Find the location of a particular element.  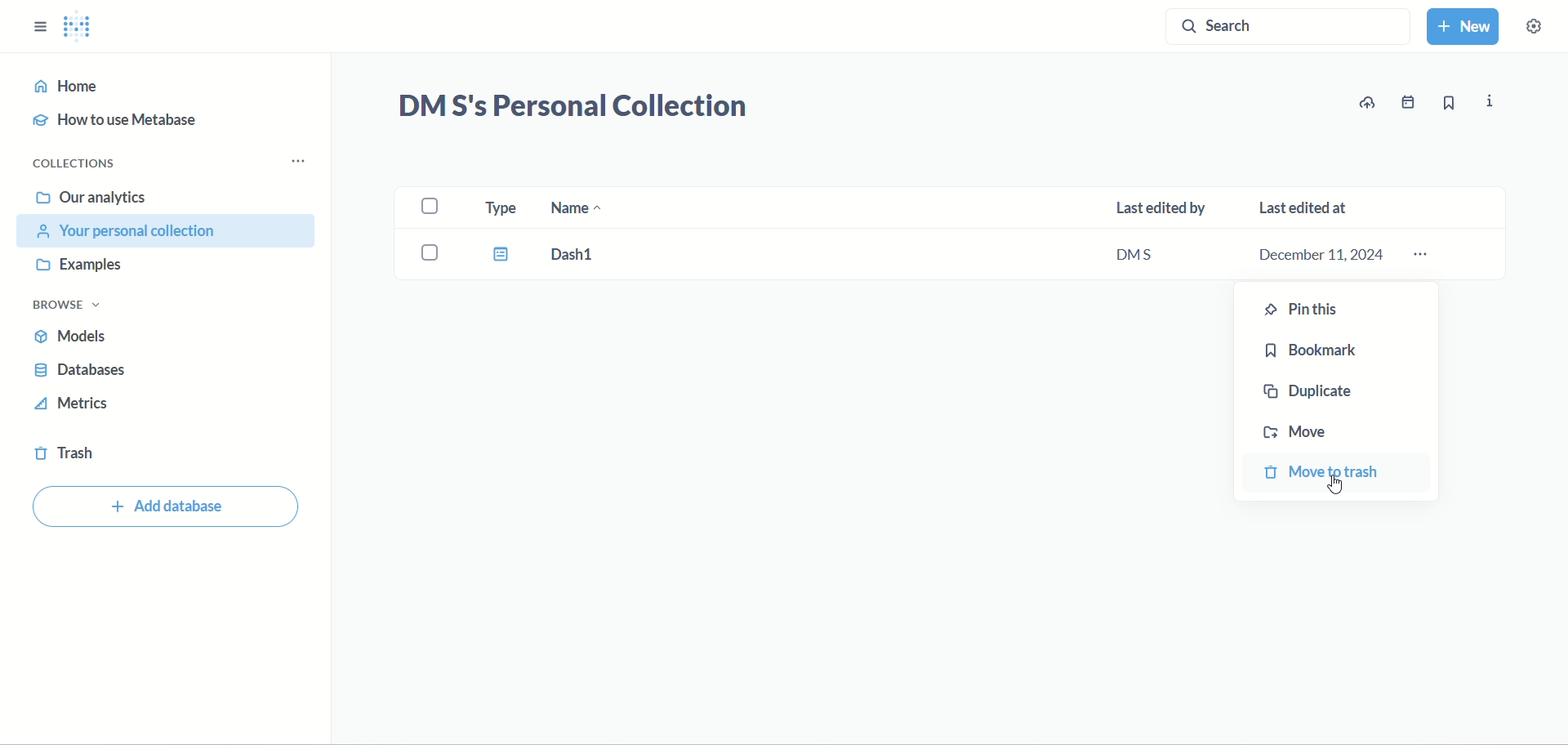

name is located at coordinates (580, 211).